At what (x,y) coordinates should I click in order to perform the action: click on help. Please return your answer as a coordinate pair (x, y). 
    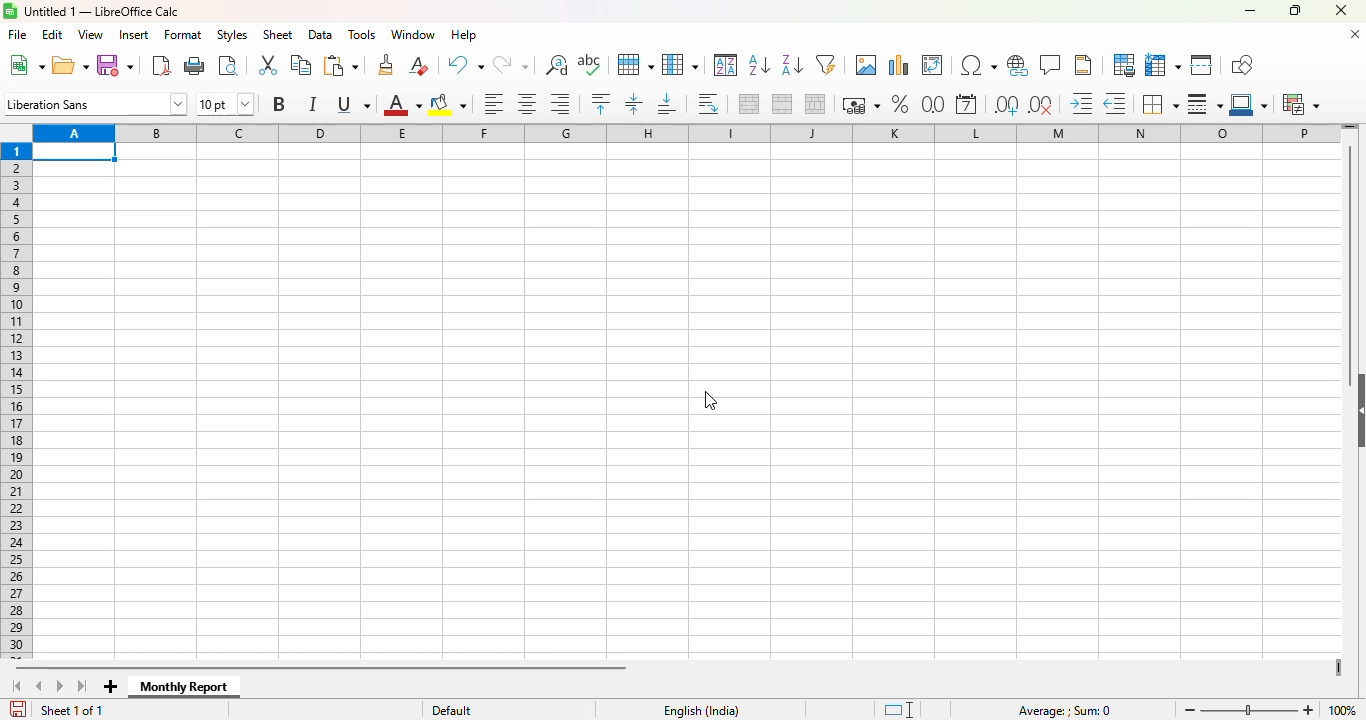
    Looking at the image, I should click on (464, 35).